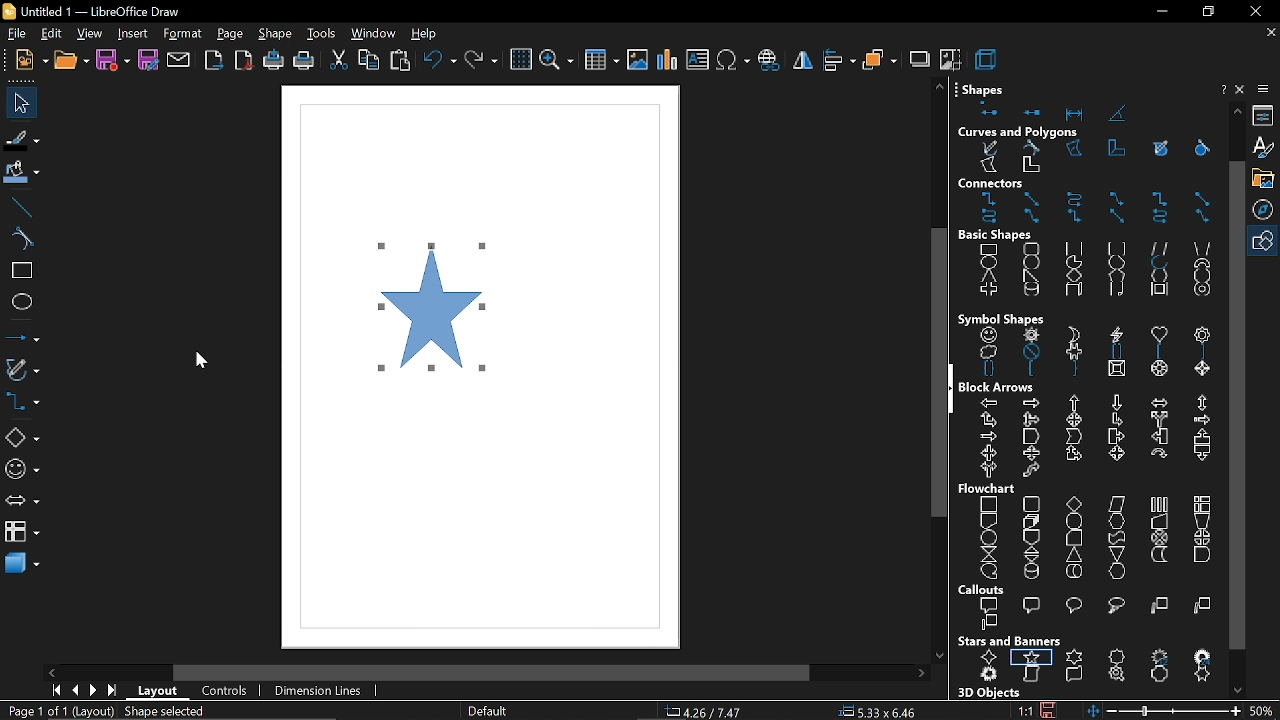  What do you see at coordinates (1266, 241) in the screenshot?
I see `basic shapes` at bounding box center [1266, 241].